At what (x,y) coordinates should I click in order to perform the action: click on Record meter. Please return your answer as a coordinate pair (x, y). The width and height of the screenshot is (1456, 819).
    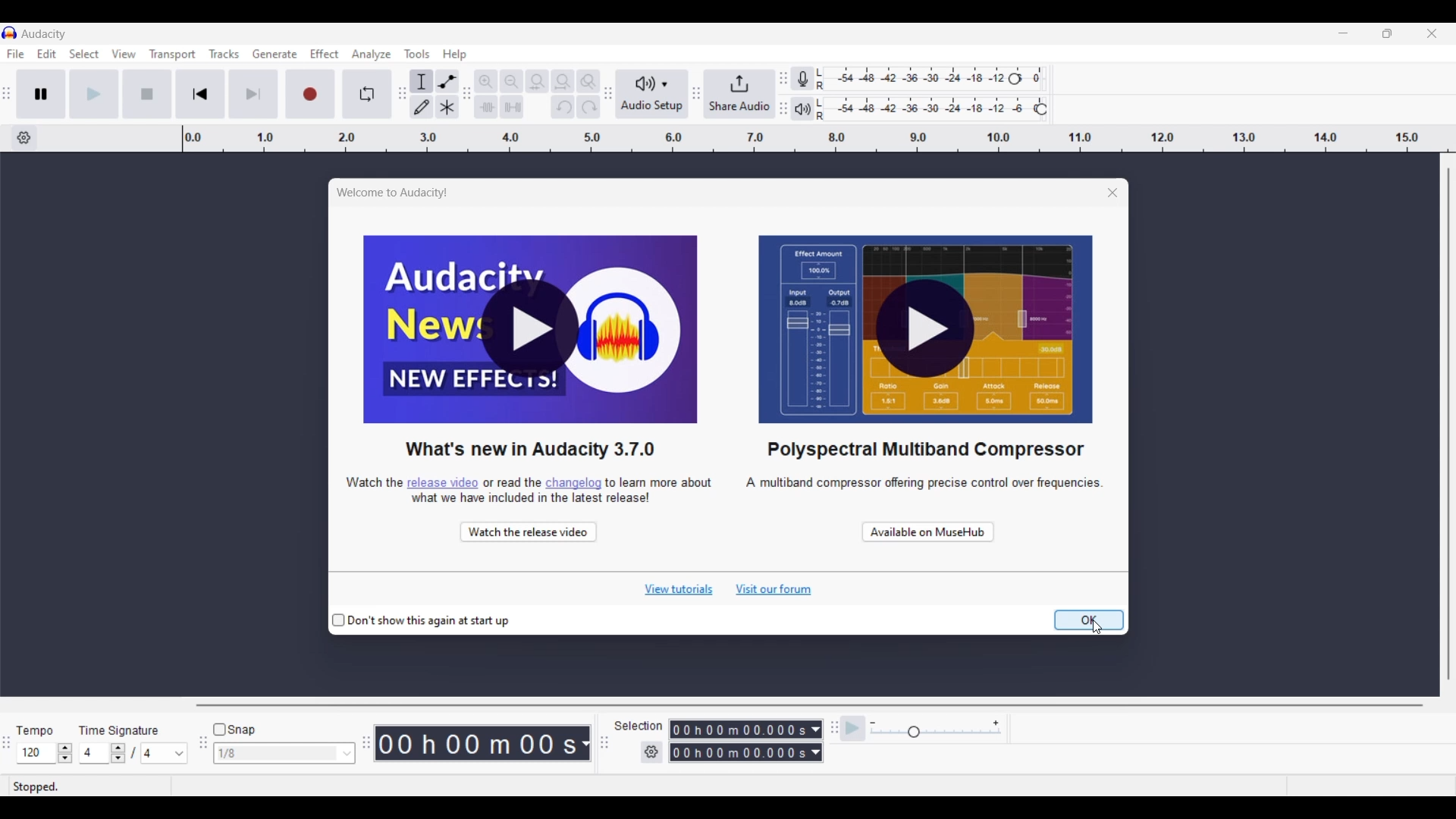
    Looking at the image, I should click on (802, 79).